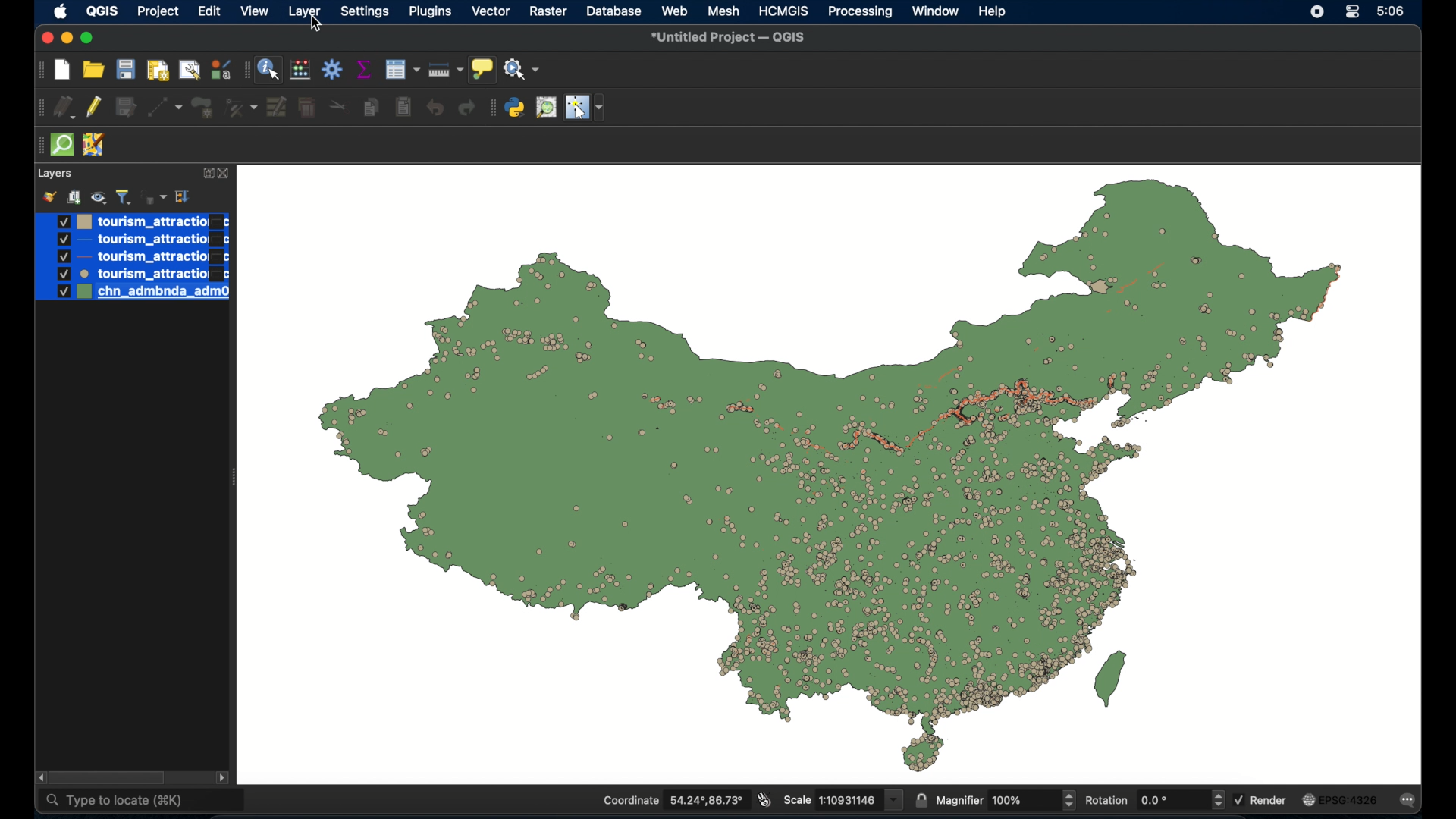  What do you see at coordinates (402, 71) in the screenshot?
I see `open attribute table` at bounding box center [402, 71].